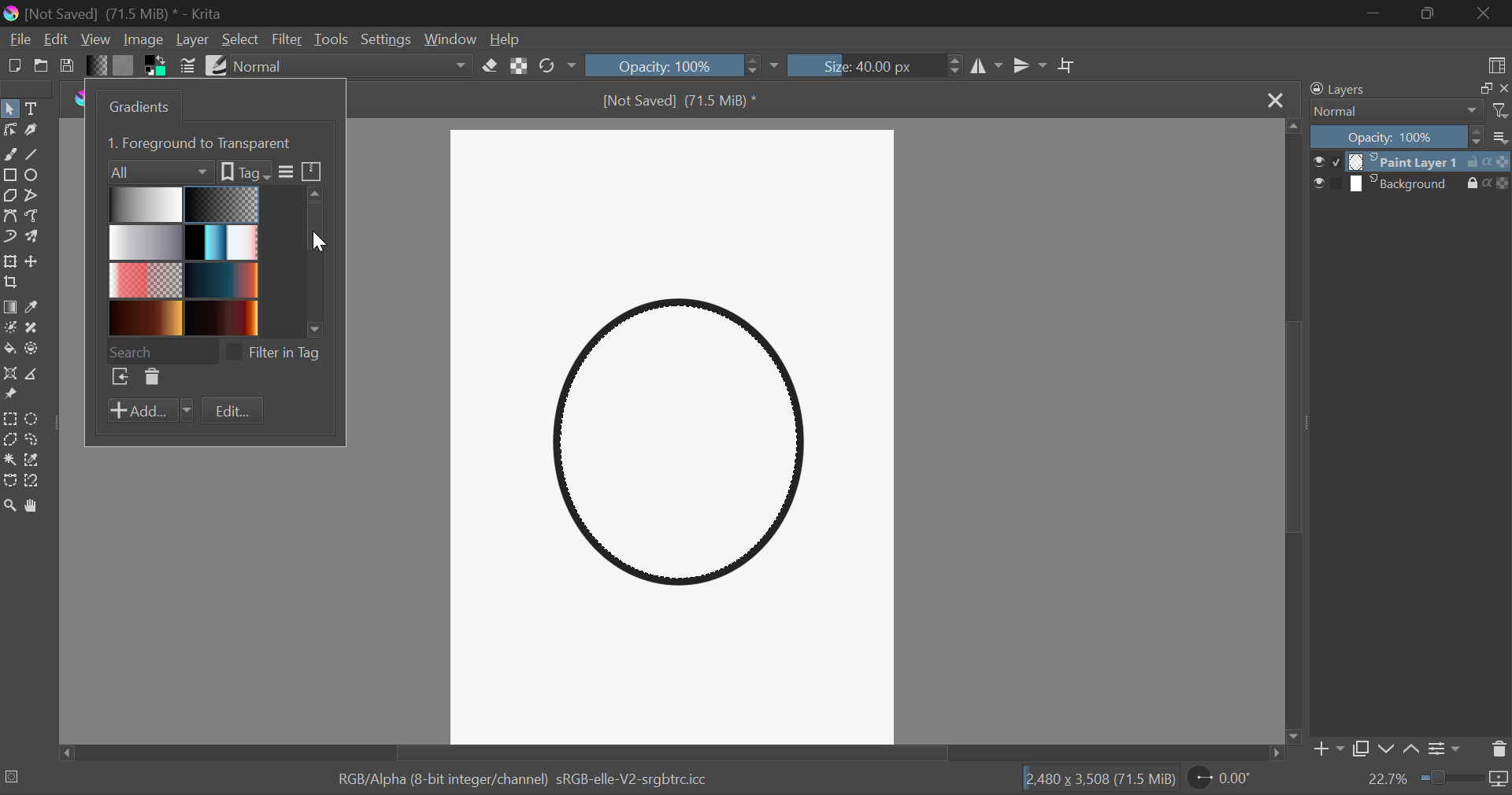  Describe the element at coordinates (1500, 138) in the screenshot. I see `more` at that location.